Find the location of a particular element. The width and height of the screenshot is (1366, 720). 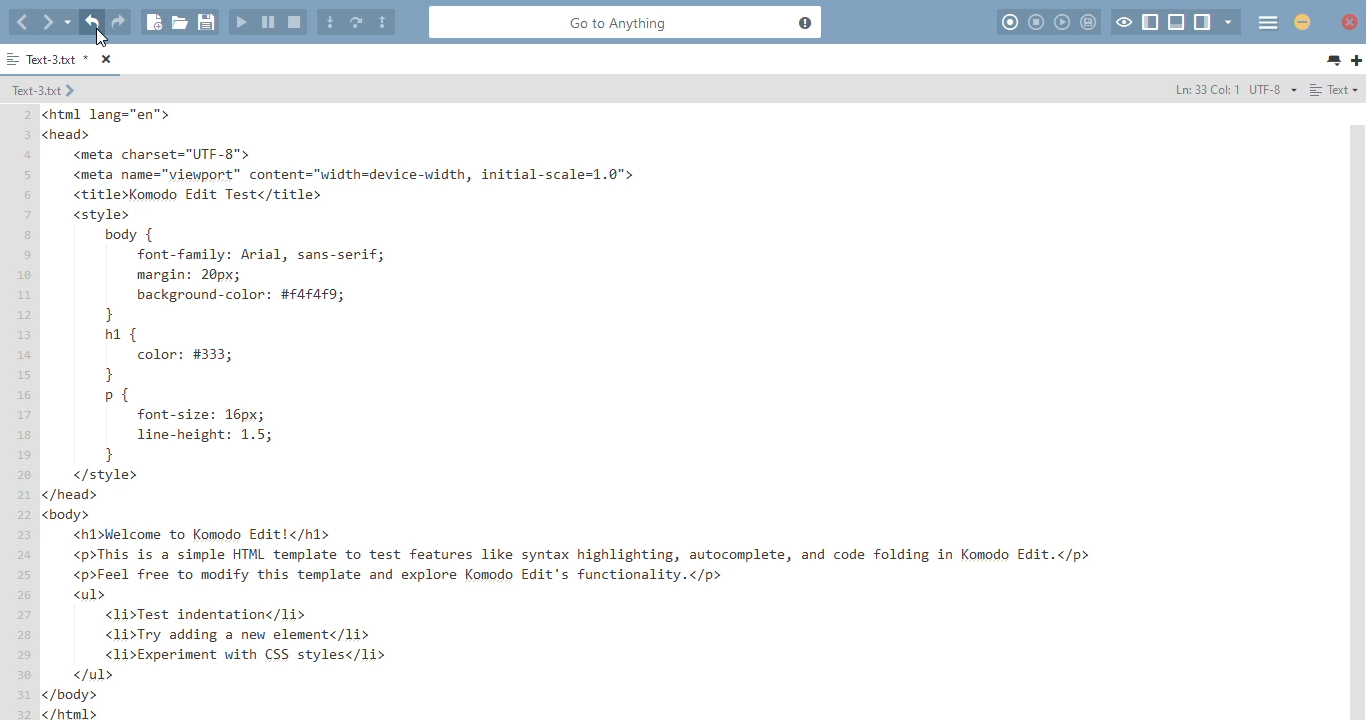

file position is located at coordinates (1205, 88).